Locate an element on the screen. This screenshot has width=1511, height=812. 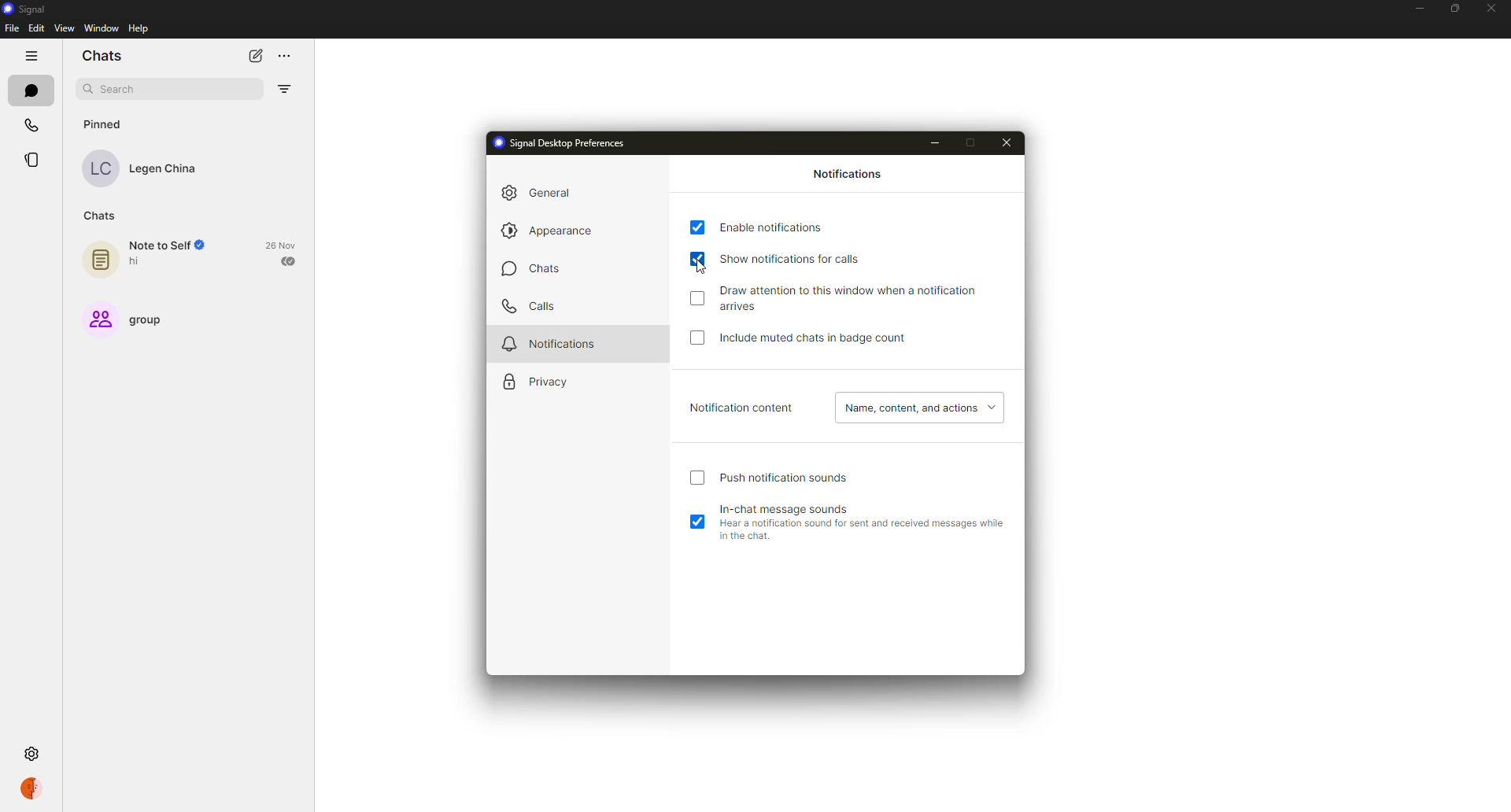
contact is located at coordinates (151, 168).